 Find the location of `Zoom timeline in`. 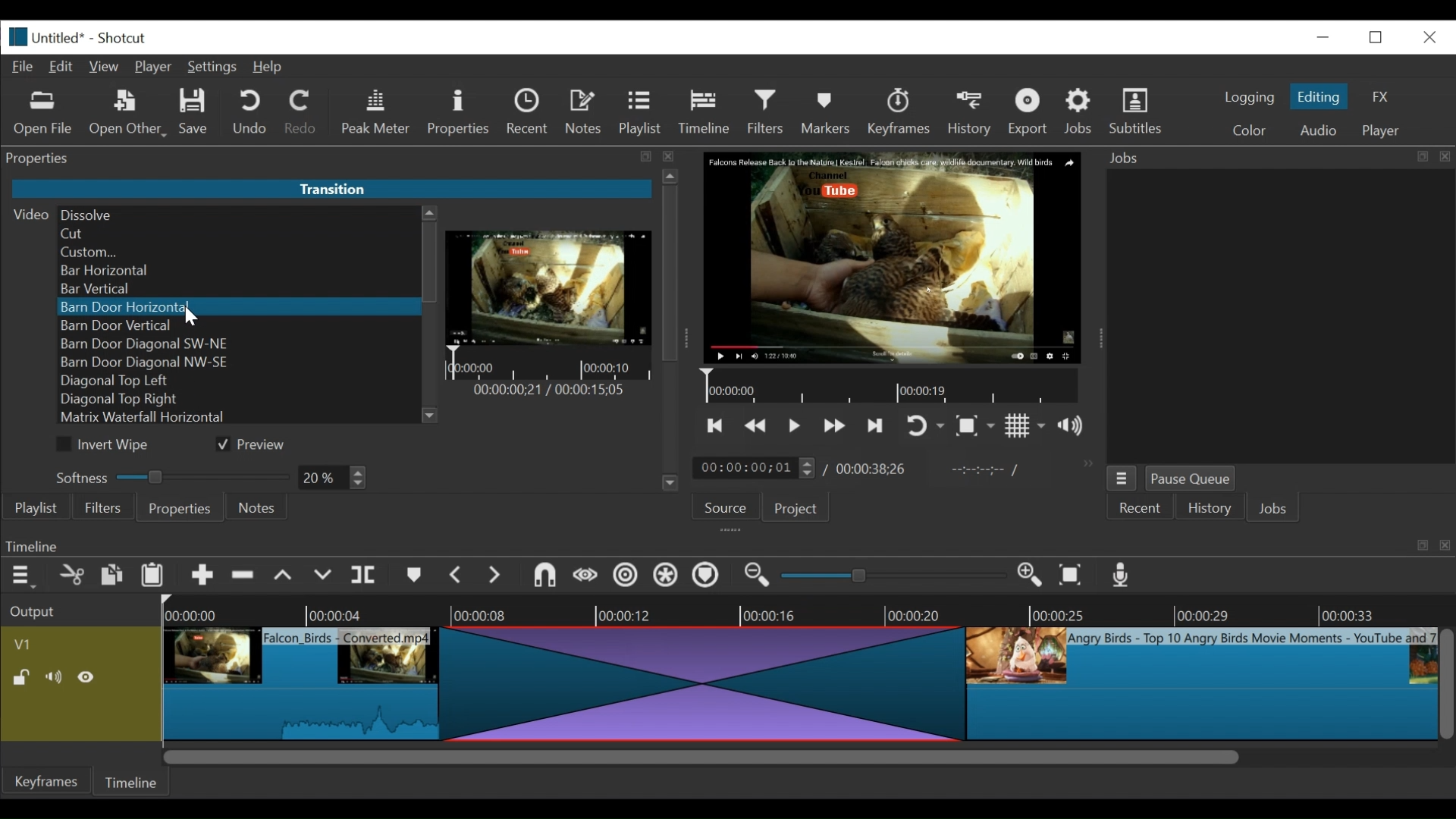

Zoom timeline in is located at coordinates (755, 577).